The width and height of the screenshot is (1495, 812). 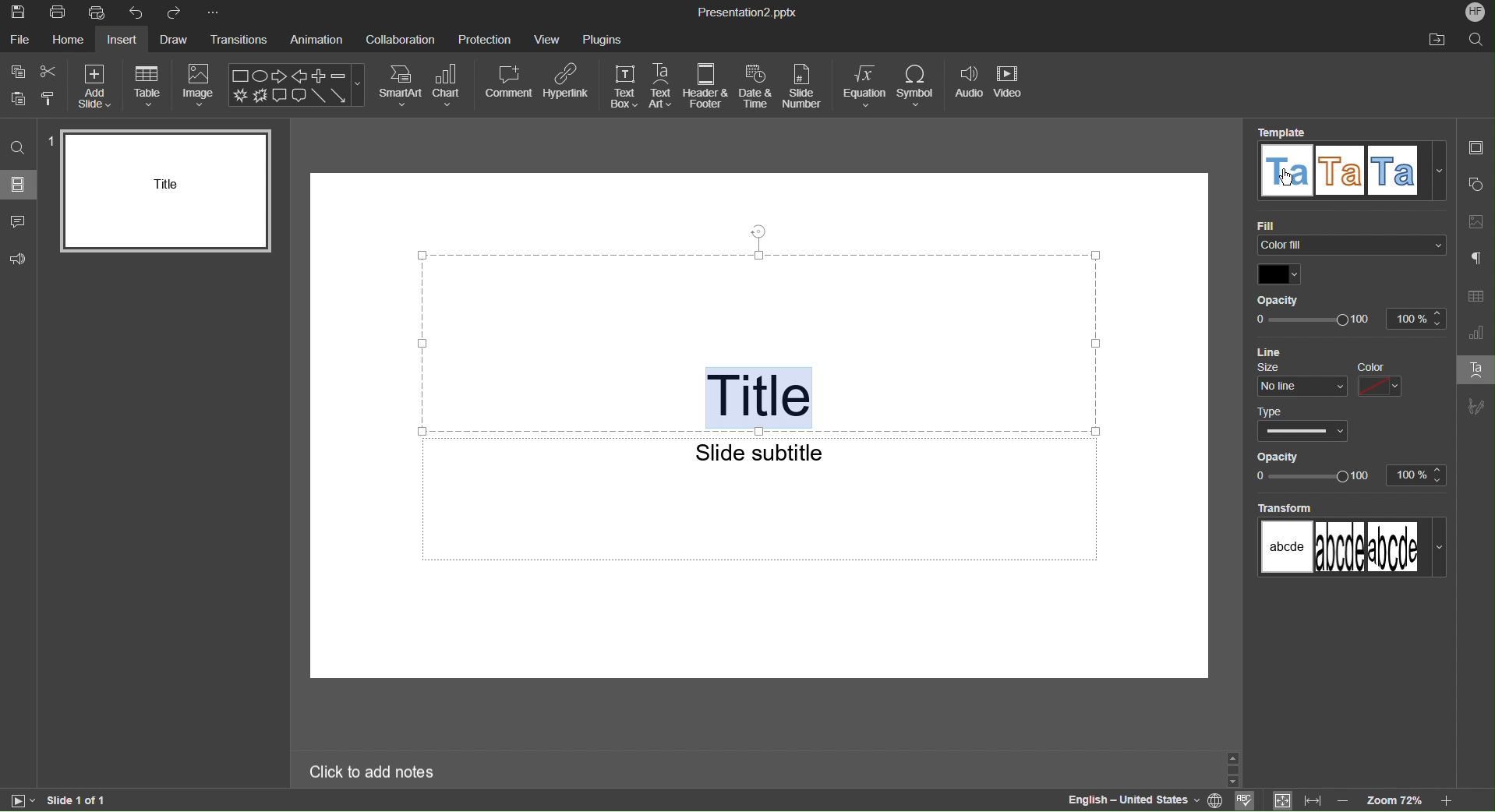 What do you see at coordinates (450, 86) in the screenshot?
I see `Chart` at bounding box center [450, 86].